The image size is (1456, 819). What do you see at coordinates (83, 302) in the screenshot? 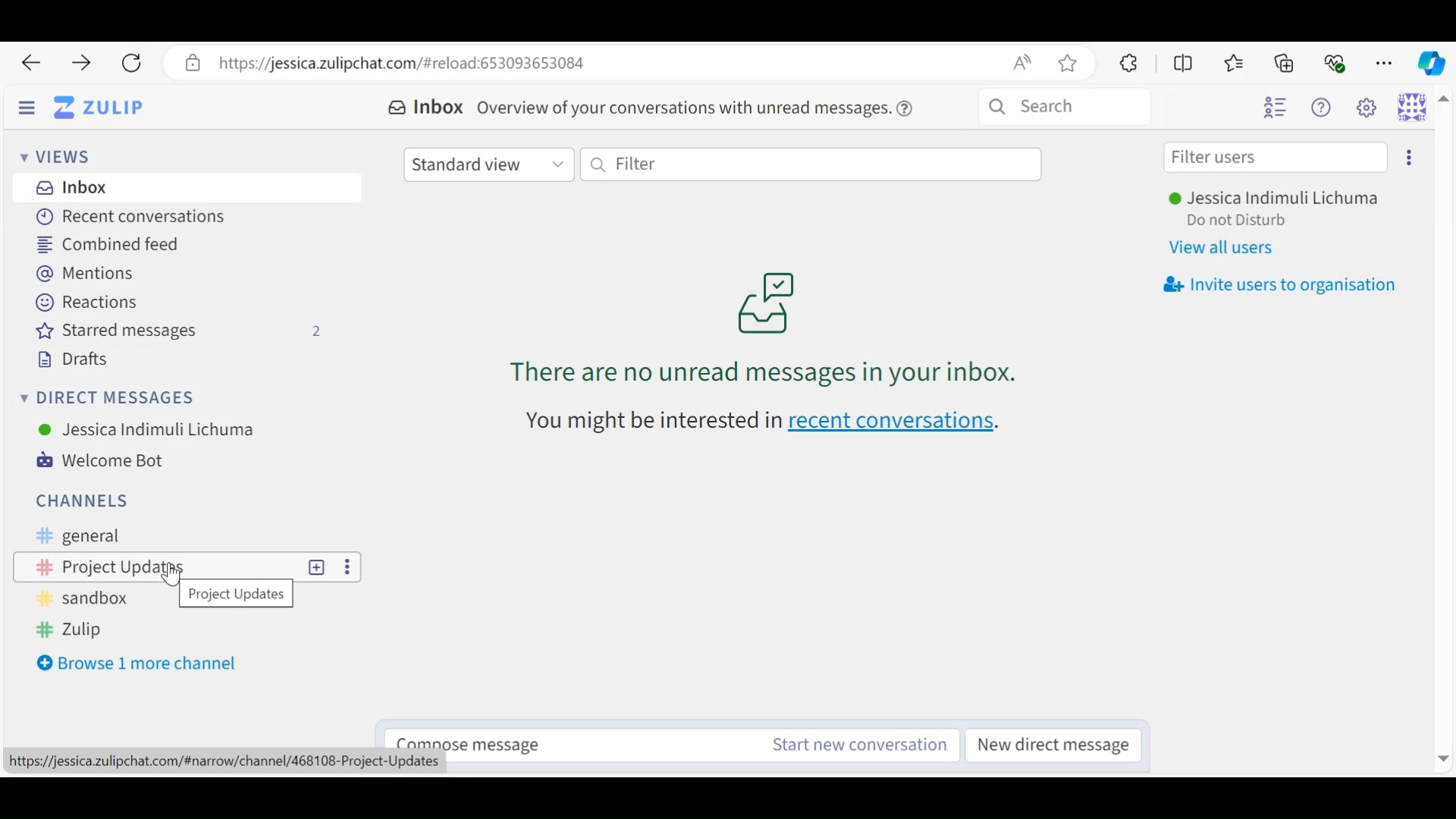
I see `Reactions` at bounding box center [83, 302].